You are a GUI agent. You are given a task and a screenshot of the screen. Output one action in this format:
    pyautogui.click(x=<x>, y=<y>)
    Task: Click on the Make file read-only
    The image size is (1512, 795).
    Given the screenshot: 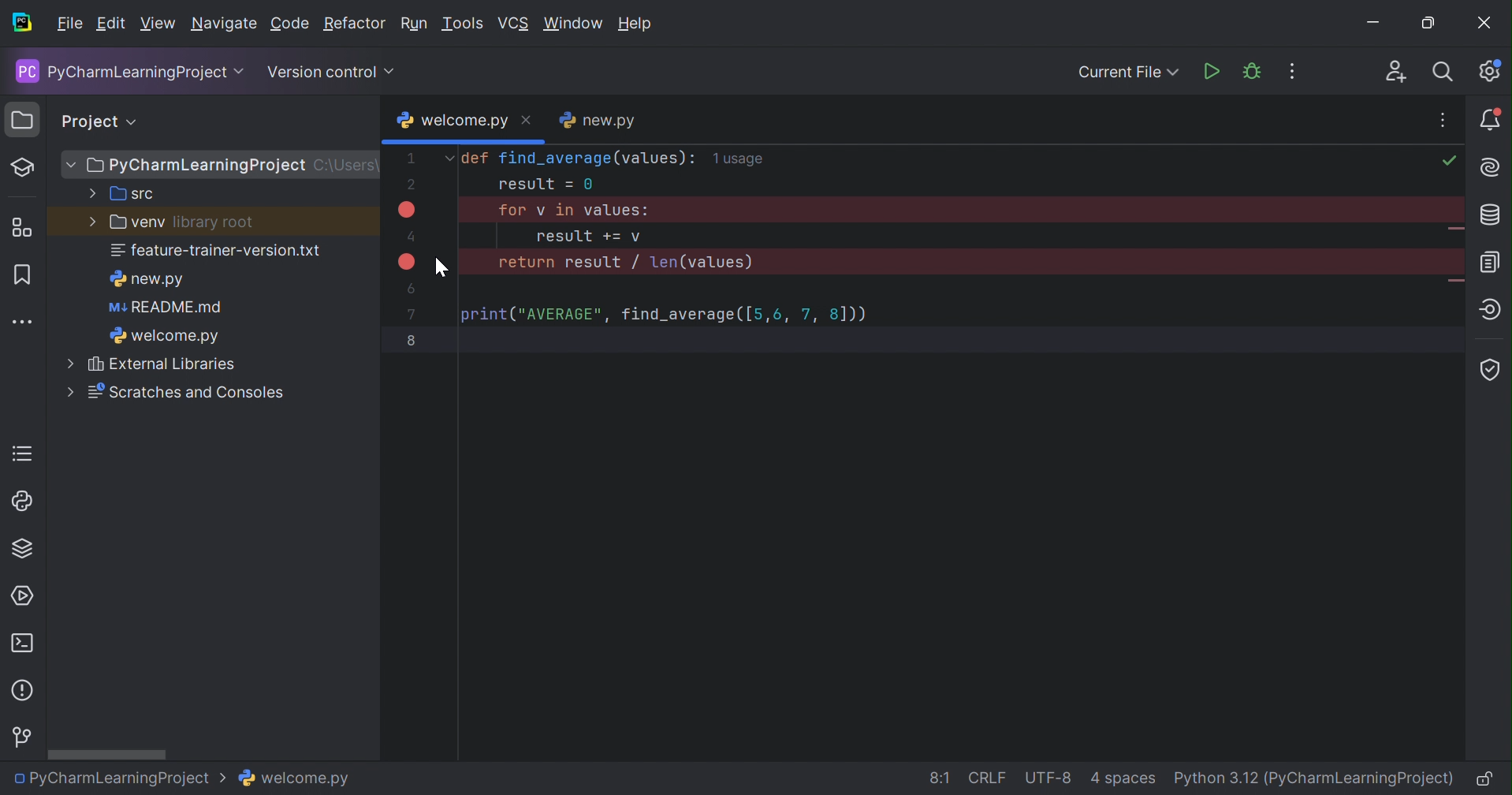 What is the action you would take?
    pyautogui.click(x=1481, y=780)
    